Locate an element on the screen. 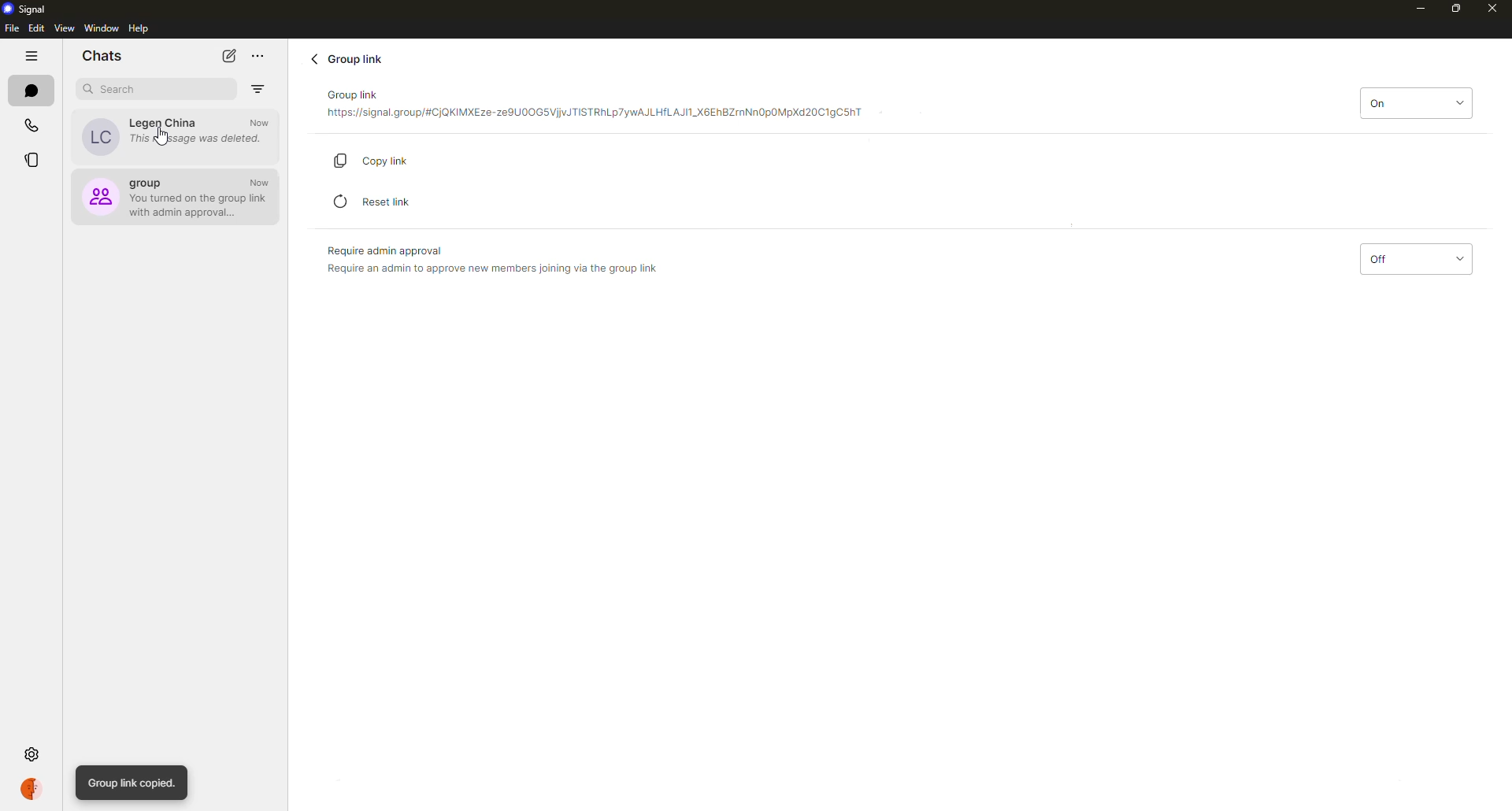  group link is located at coordinates (350, 58).